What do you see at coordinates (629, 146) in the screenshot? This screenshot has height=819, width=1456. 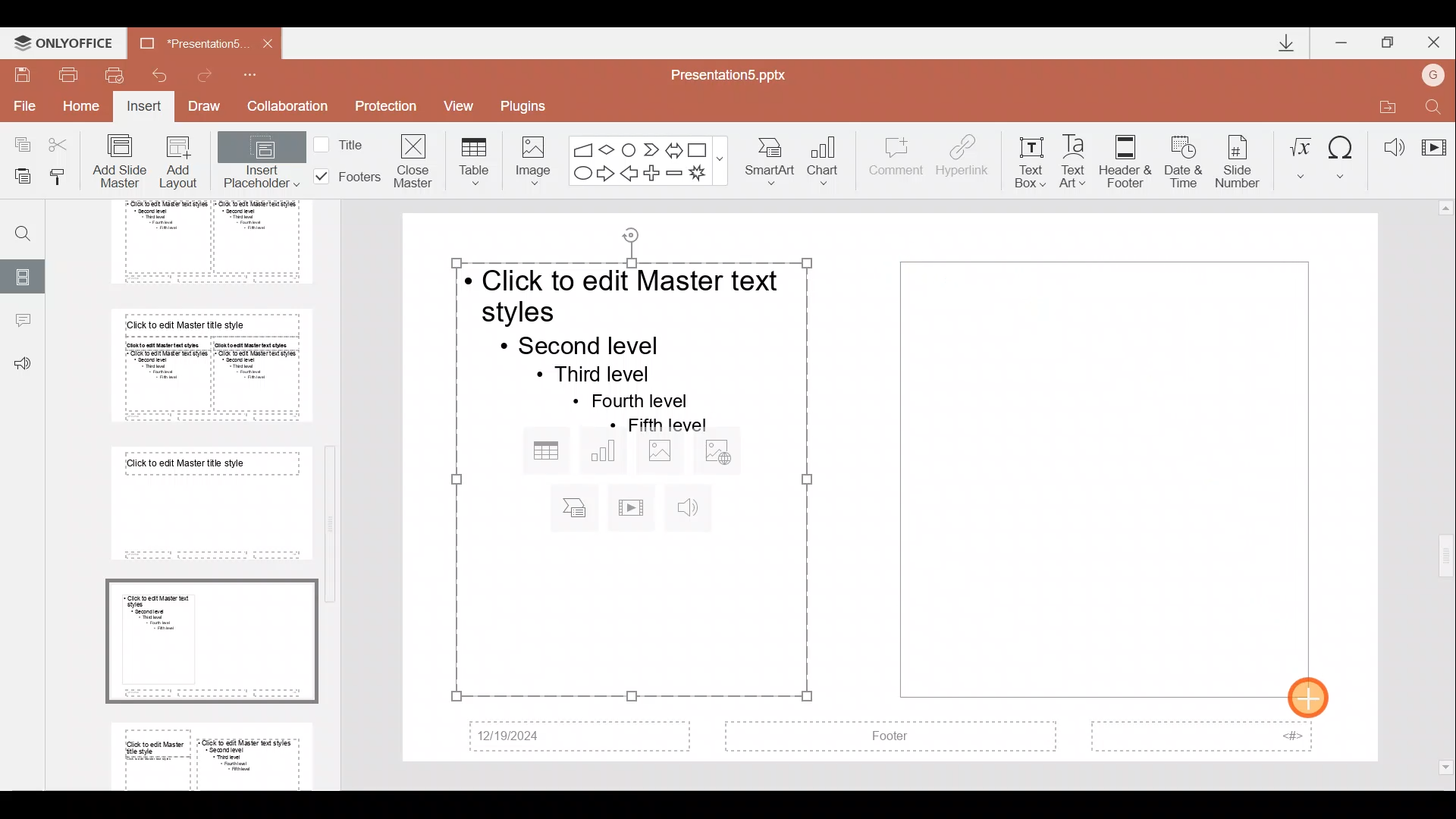 I see `Flowchart-connector` at bounding box center [629, 146].